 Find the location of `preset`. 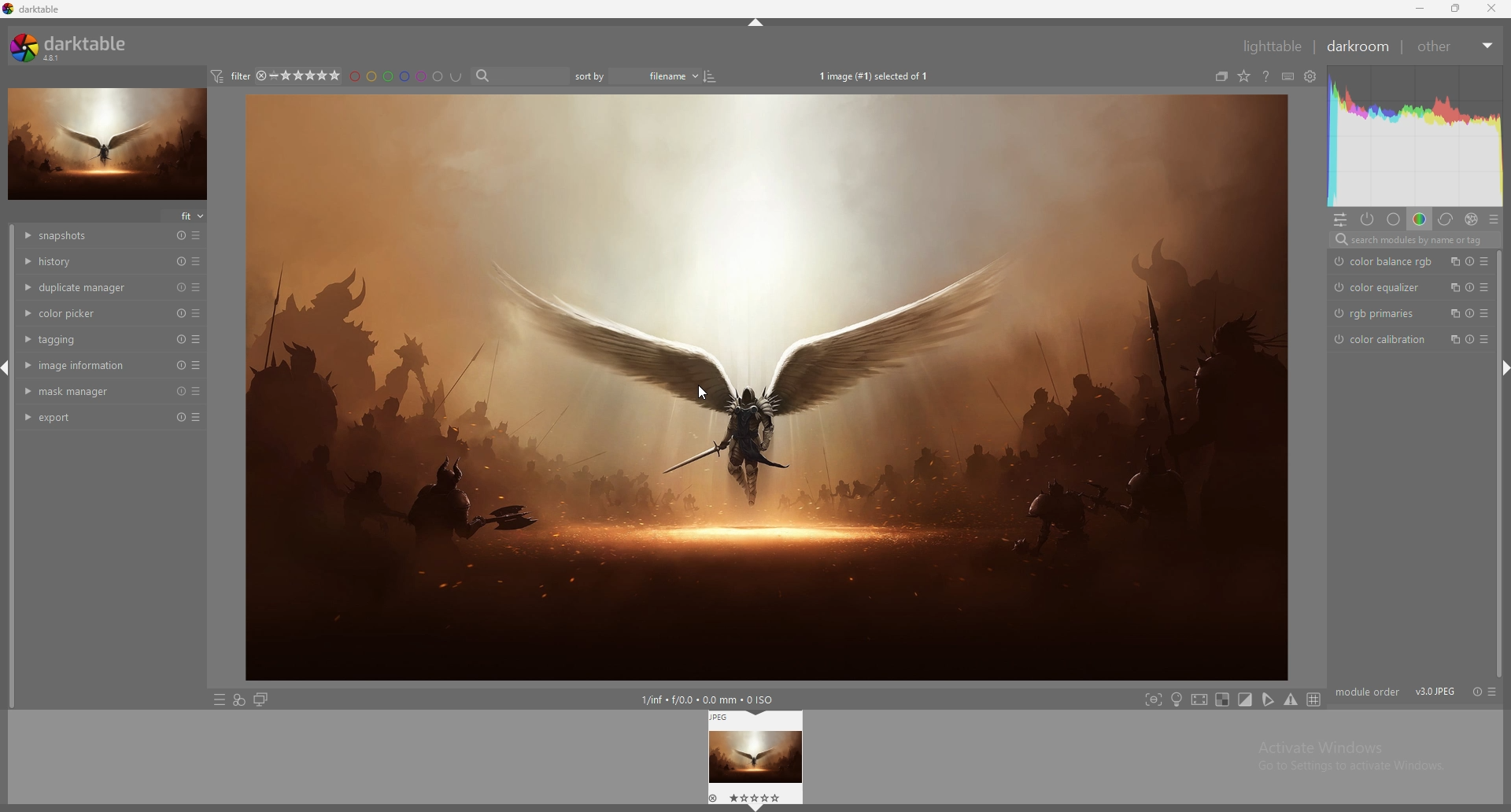

preset is located at coordinates (198, 313).